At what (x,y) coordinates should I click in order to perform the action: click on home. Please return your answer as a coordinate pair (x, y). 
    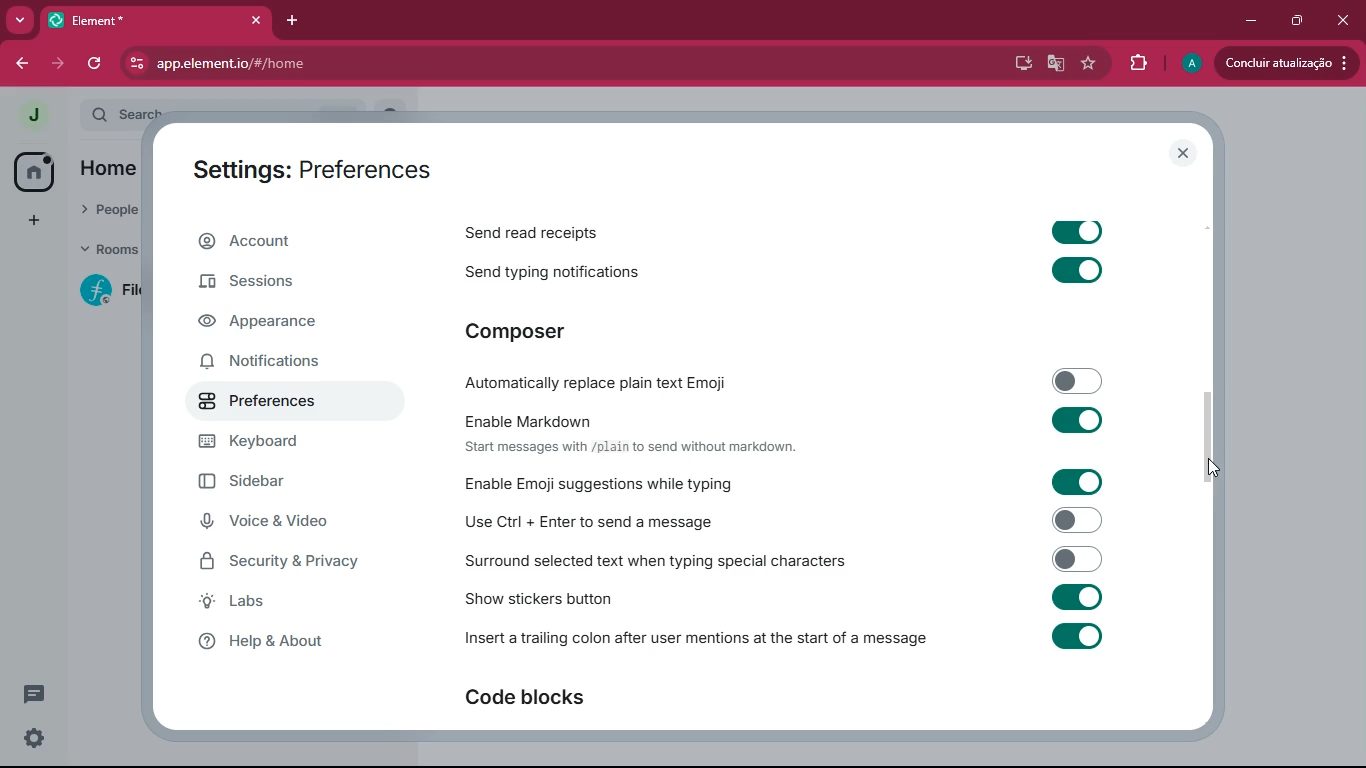
    Looking at the image, I should click on (32, 171).